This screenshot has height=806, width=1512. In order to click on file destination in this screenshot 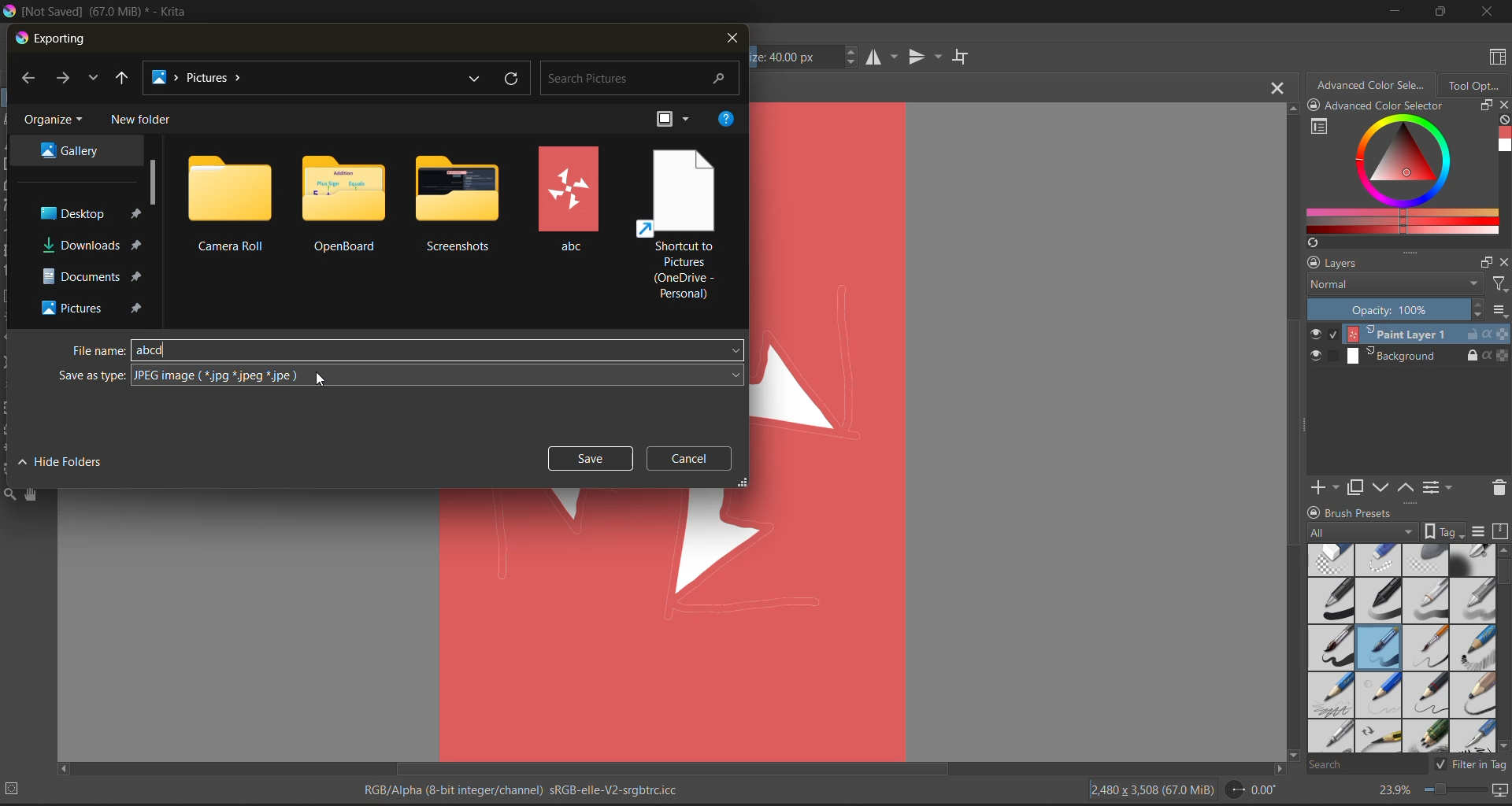, I will do `click(92, 275)`.